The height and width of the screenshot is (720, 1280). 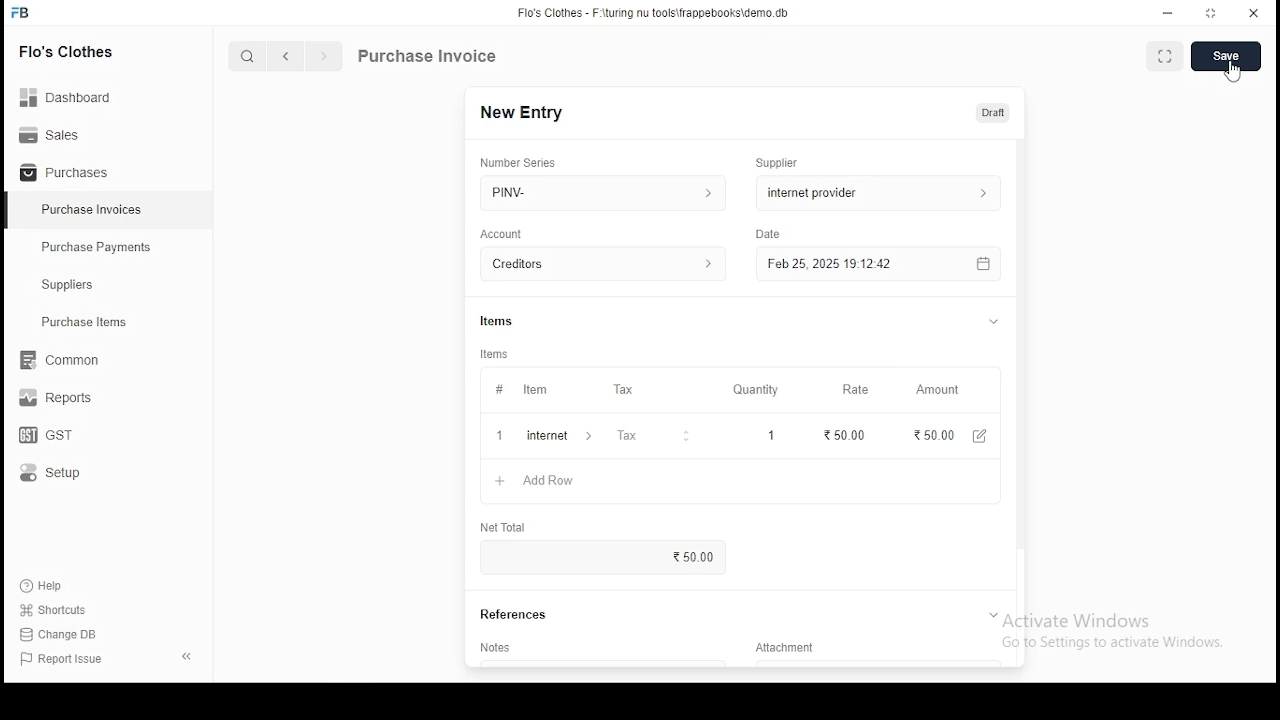 I want to click on Change DB, so click(x=65, y=635).